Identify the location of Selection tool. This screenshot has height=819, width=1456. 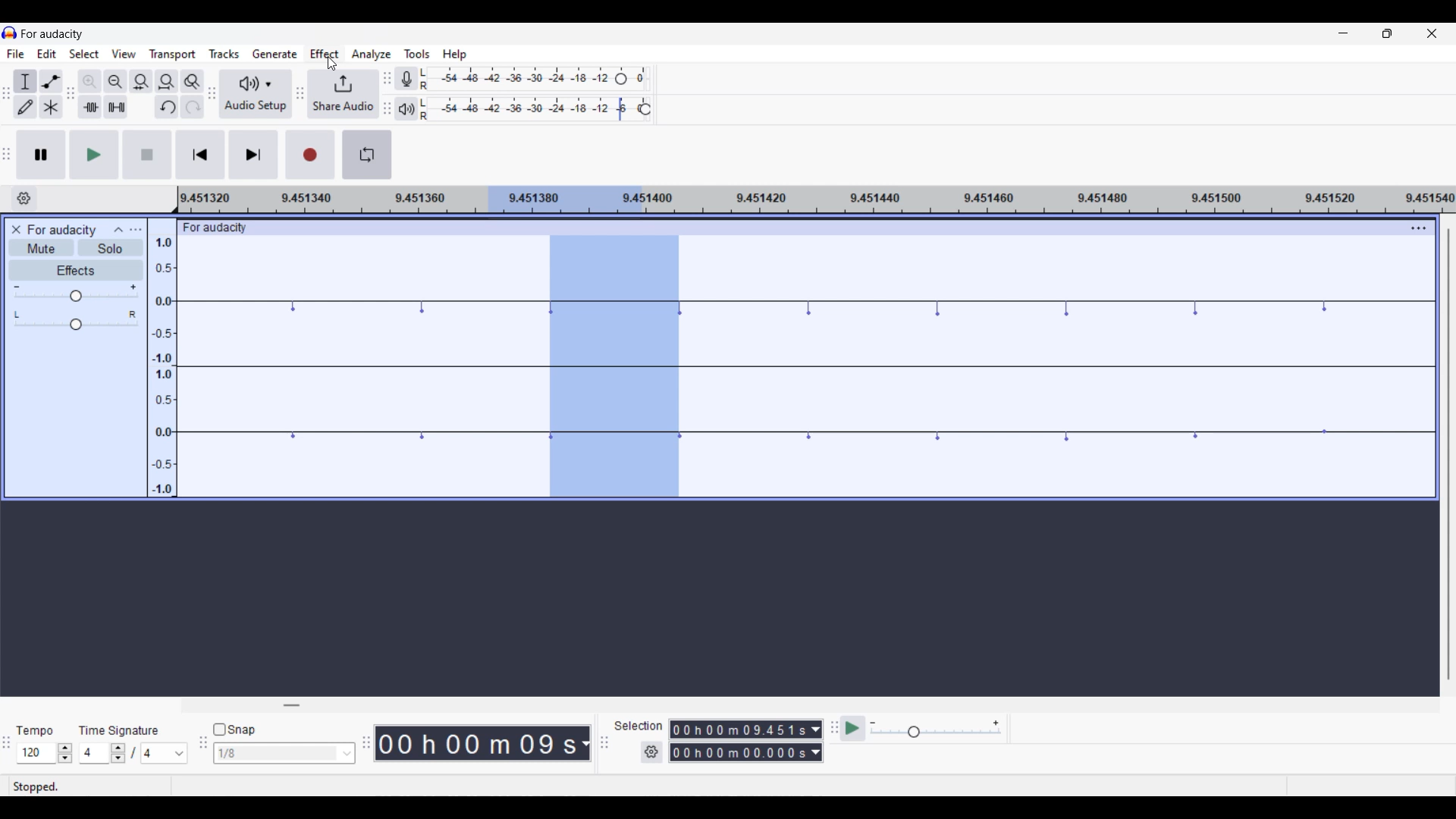
(26, 81).